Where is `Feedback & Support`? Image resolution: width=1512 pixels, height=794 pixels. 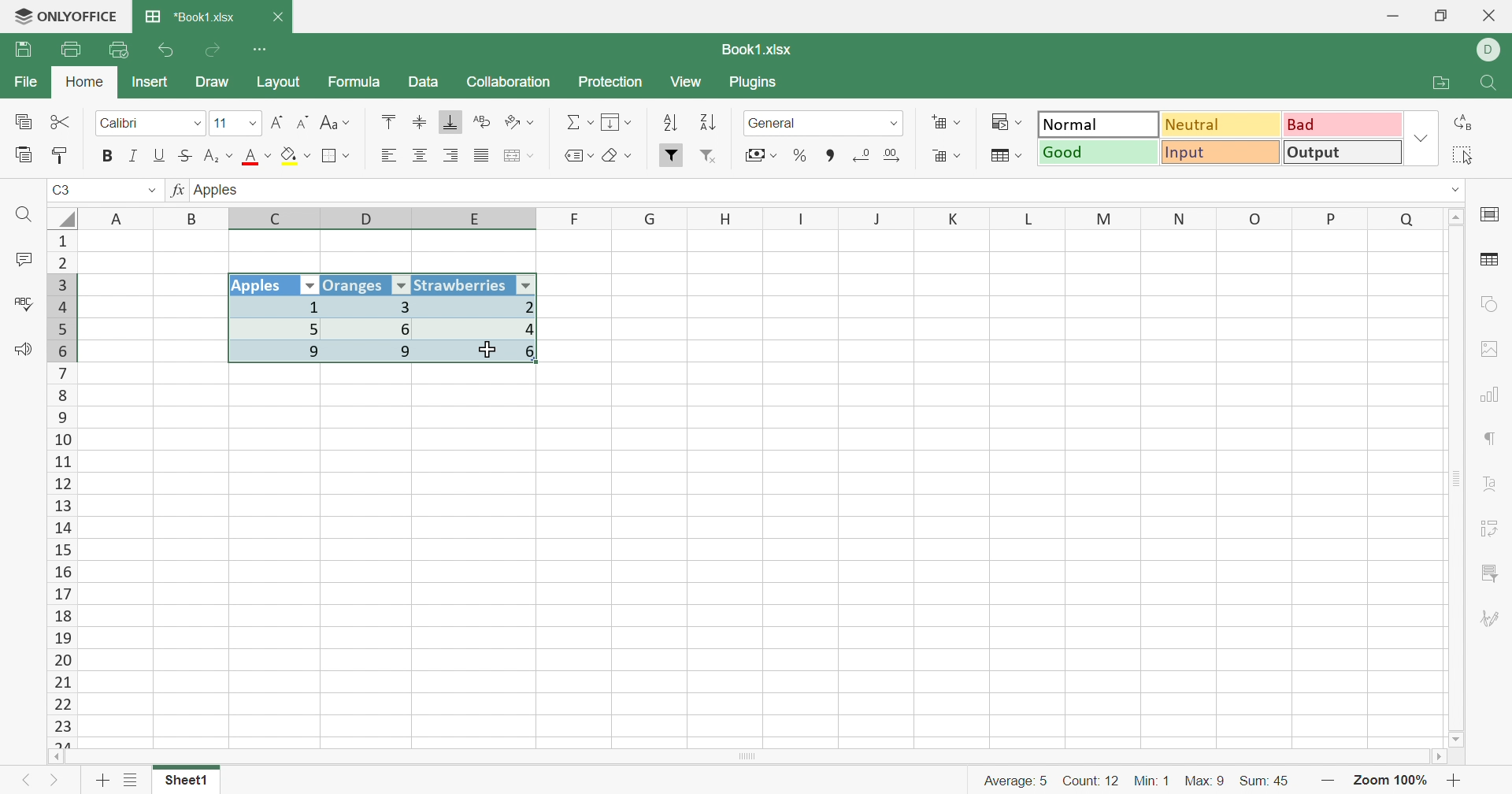
Feedback & Support is located at coordinates (25, 351).